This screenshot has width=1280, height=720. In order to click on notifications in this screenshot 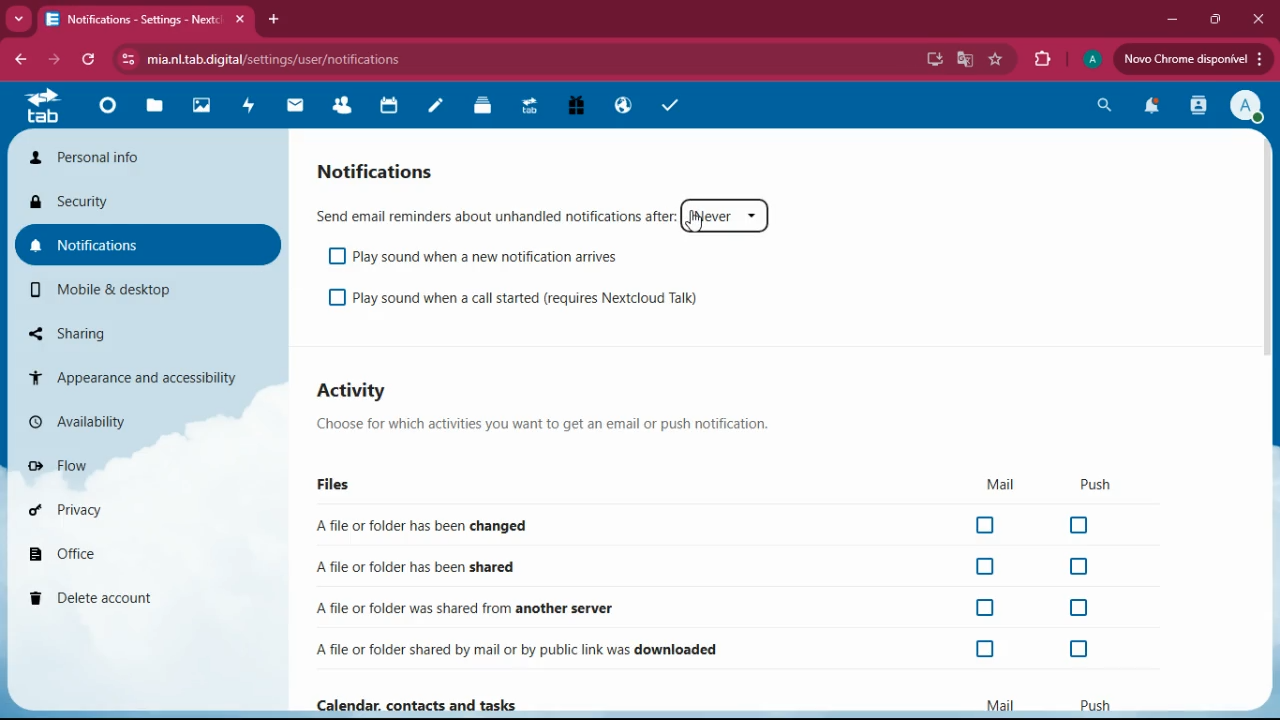, I will do `click(392, 167)`.